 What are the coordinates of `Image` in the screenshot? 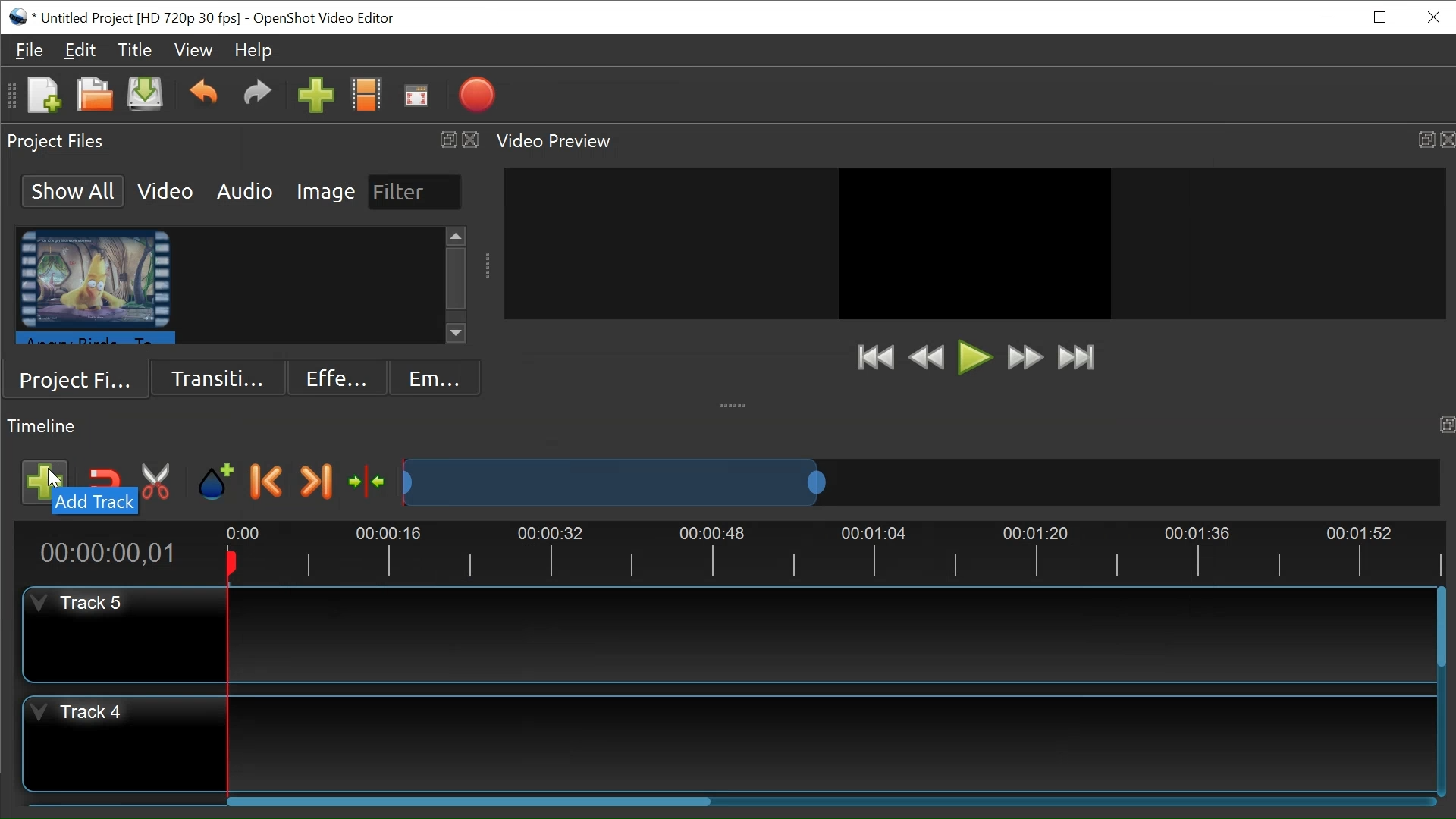 It's located at (322, 190).